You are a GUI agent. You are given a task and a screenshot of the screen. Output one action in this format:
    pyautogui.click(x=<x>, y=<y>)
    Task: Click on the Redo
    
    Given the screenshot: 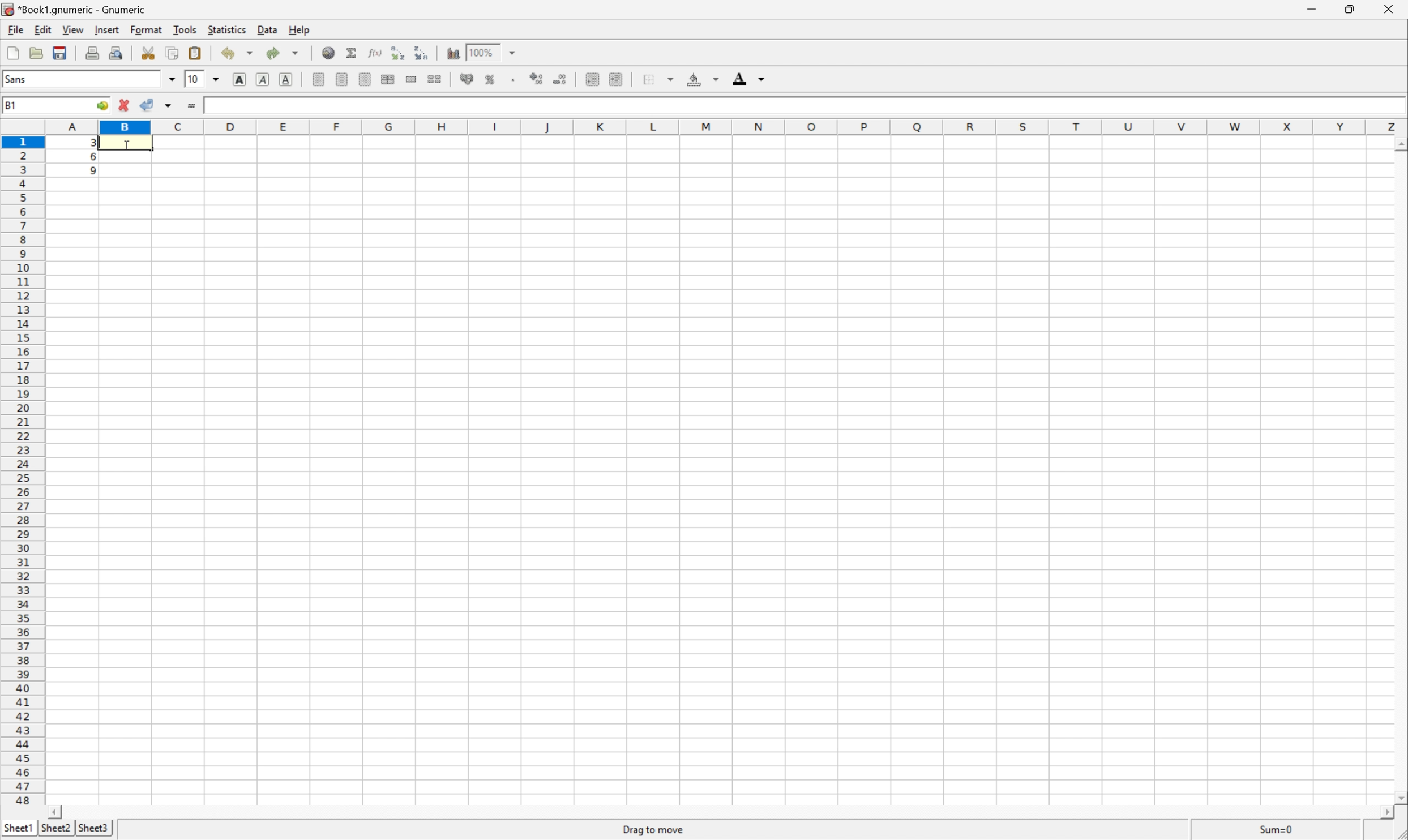 What is the action you would take?
    pyautogui.click(x=281, y=53)
    